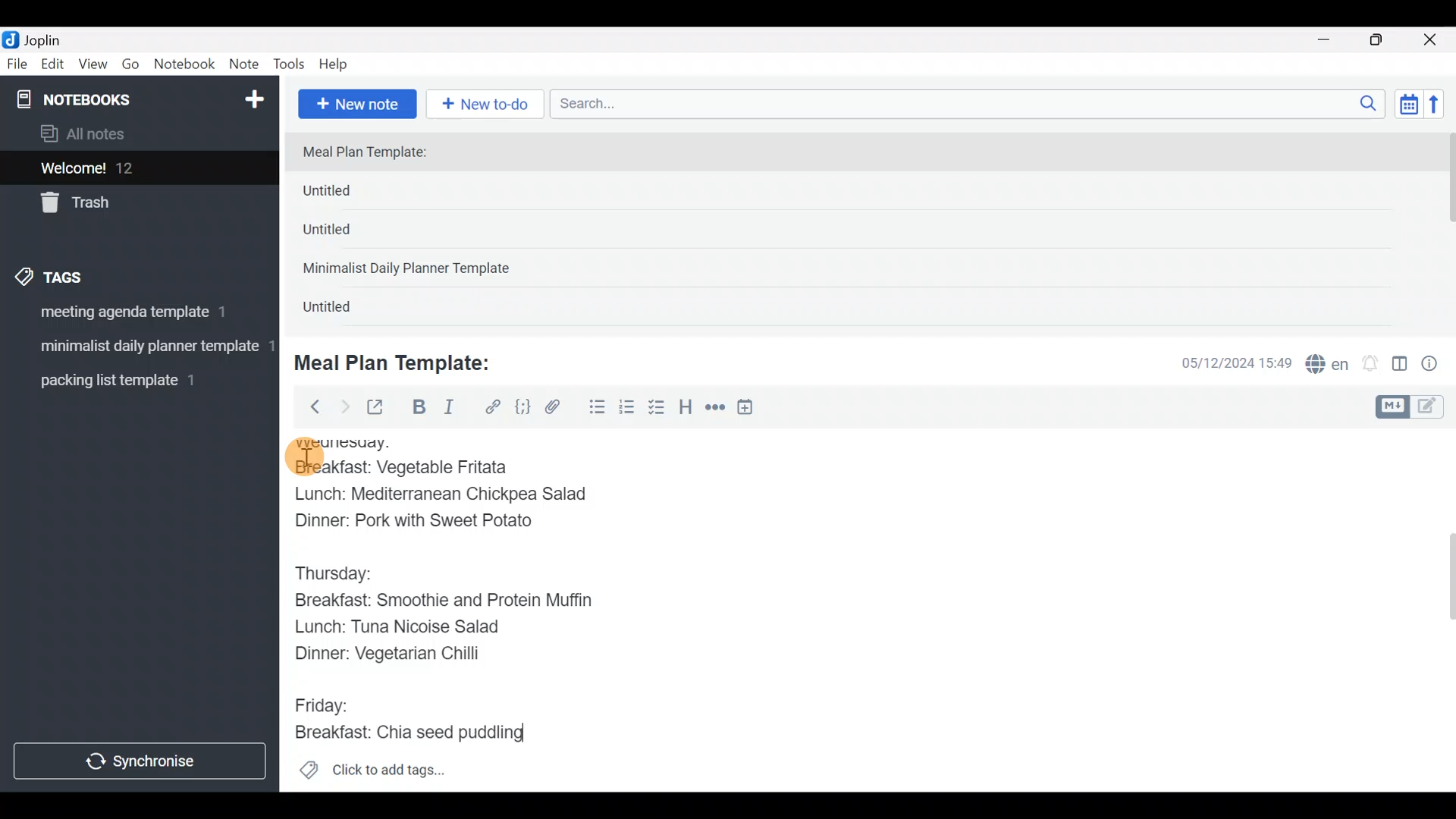 This screenshot has height=819, width=1456. I want to click on Numbered list, so click(627, 410).